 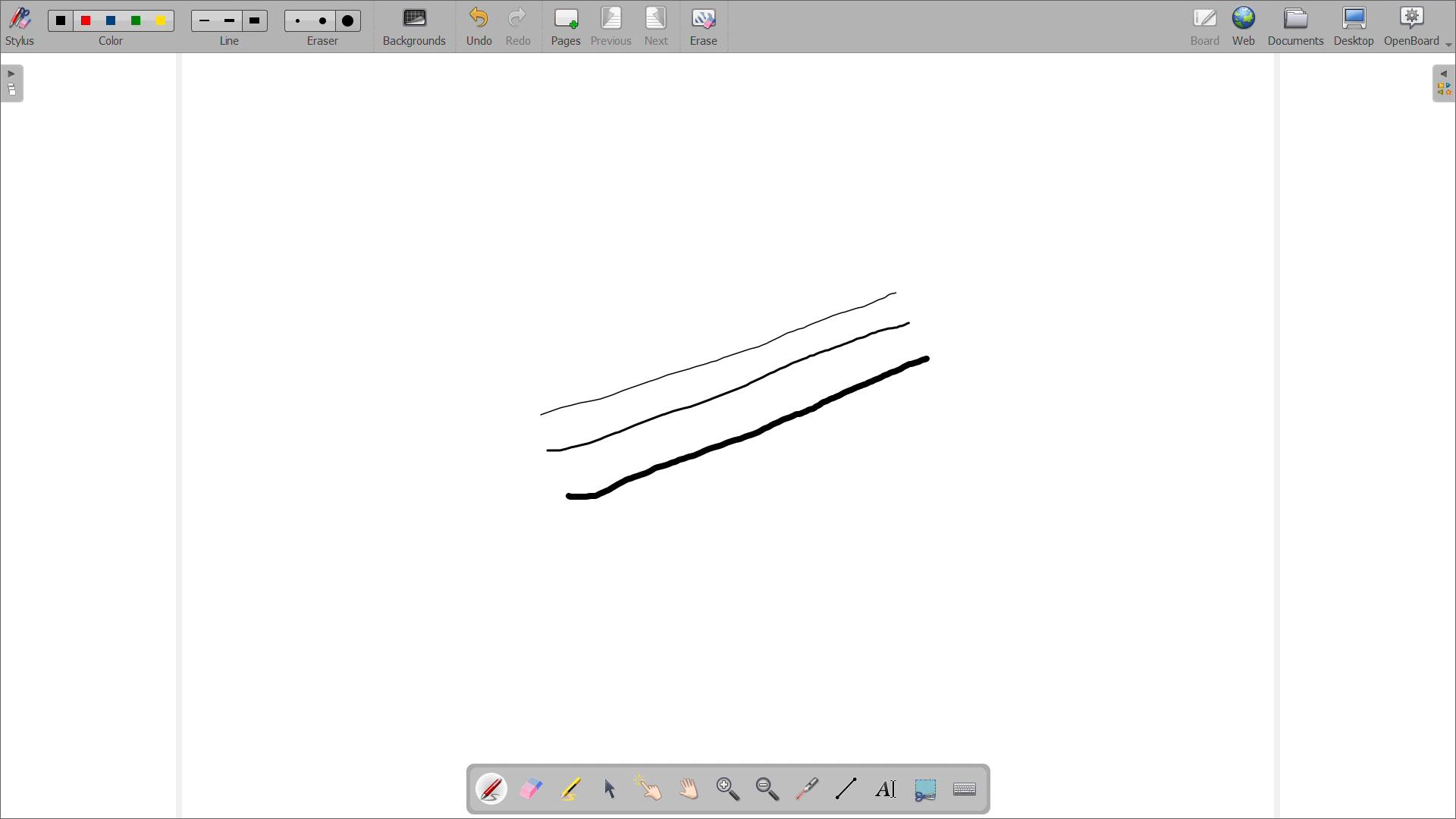 I want to click on line width size, so click(x=206, y=22).